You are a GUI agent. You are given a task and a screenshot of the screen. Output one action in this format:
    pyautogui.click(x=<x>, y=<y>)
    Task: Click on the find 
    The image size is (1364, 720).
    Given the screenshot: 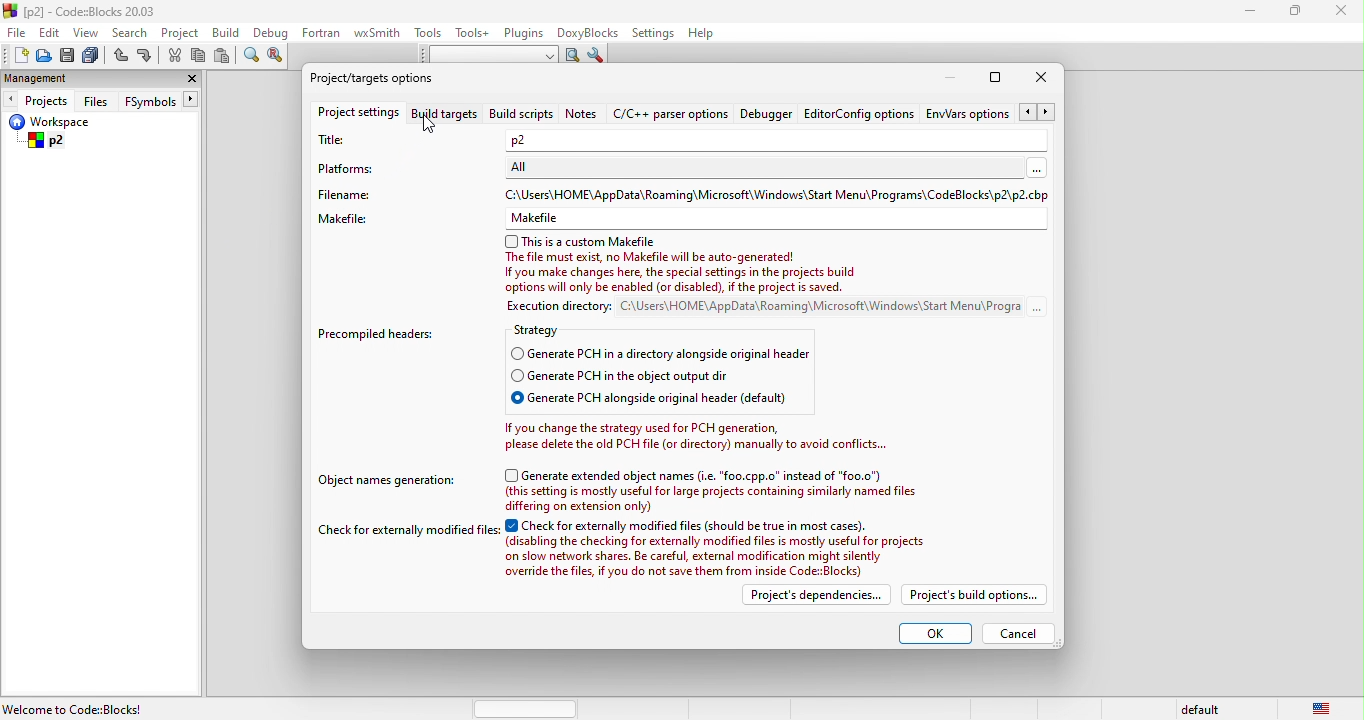 What is the action you would take?
    pyautogui.click(x=249, y=57)
    